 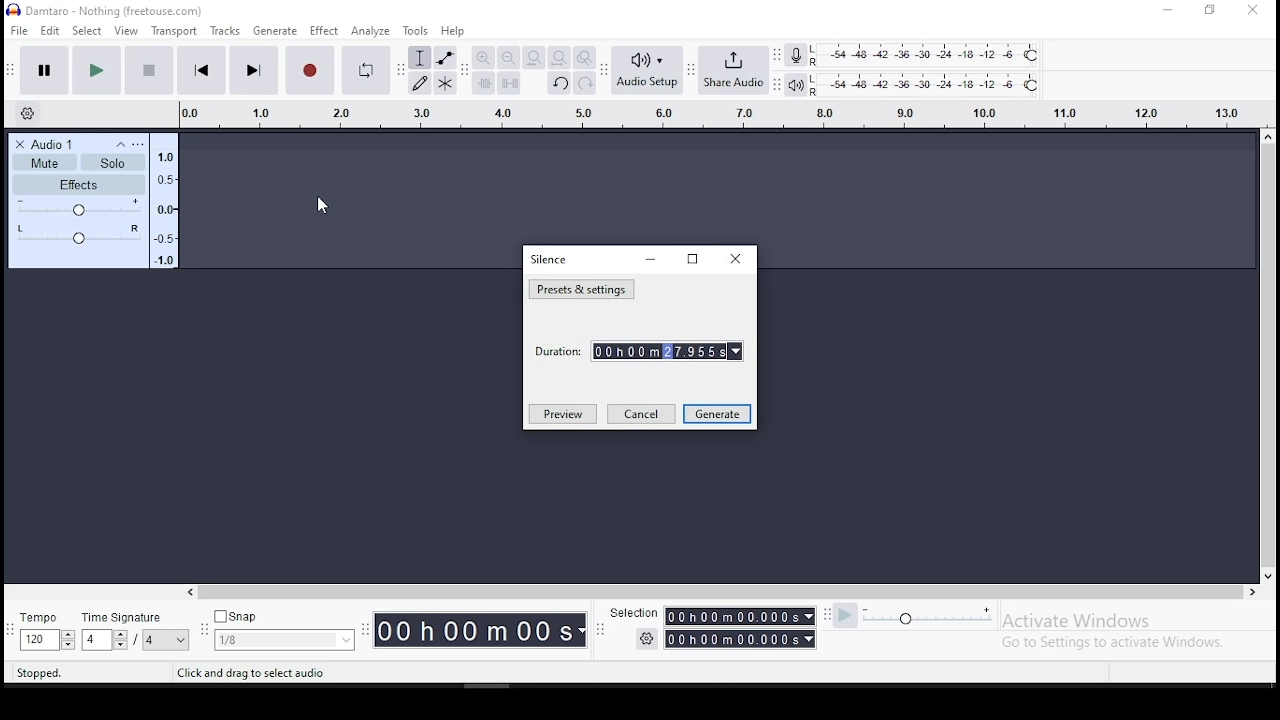 I want to click on snap, so click(x=284, y=629).